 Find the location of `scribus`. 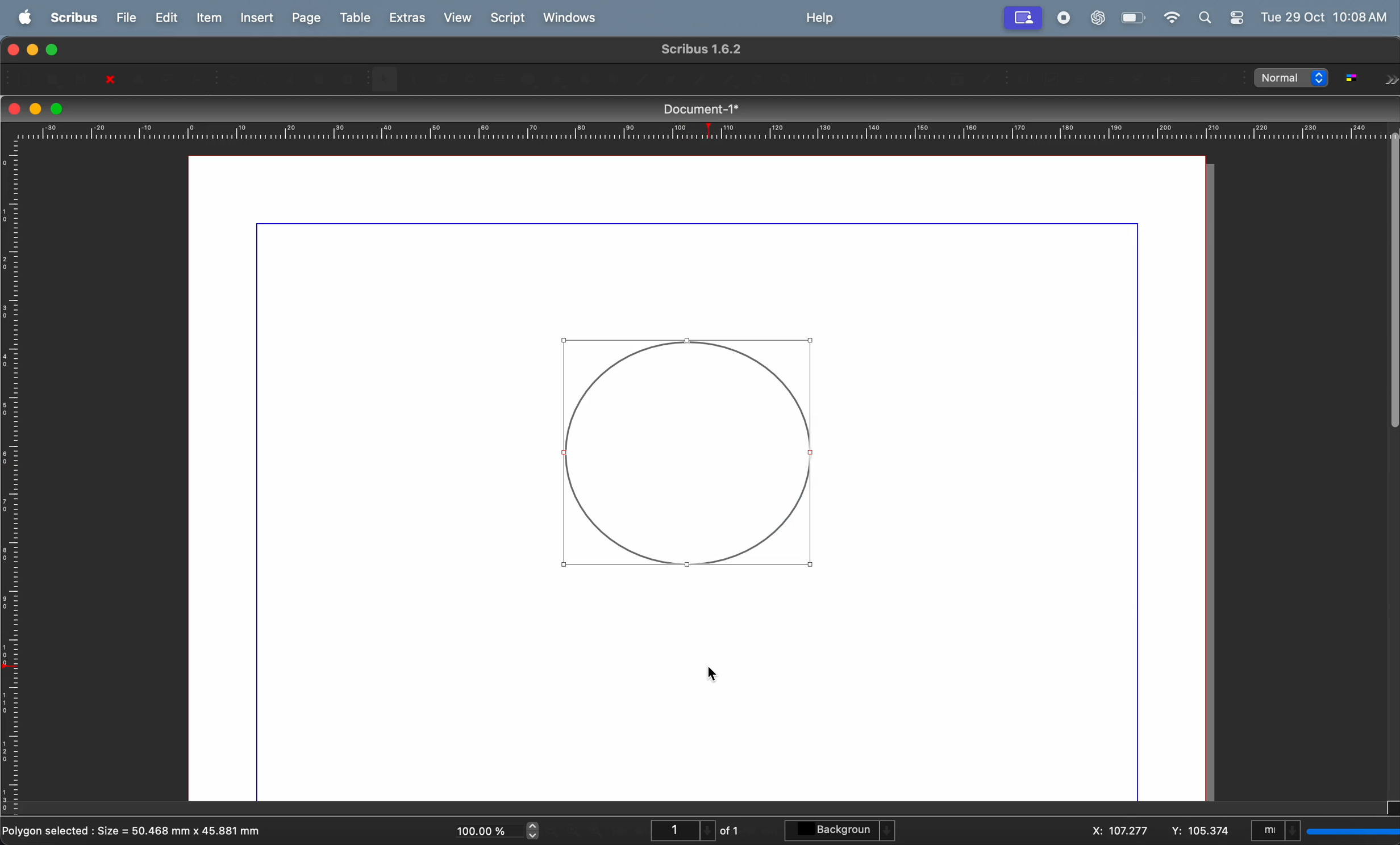

scribus is located at coordinates (70, 16).